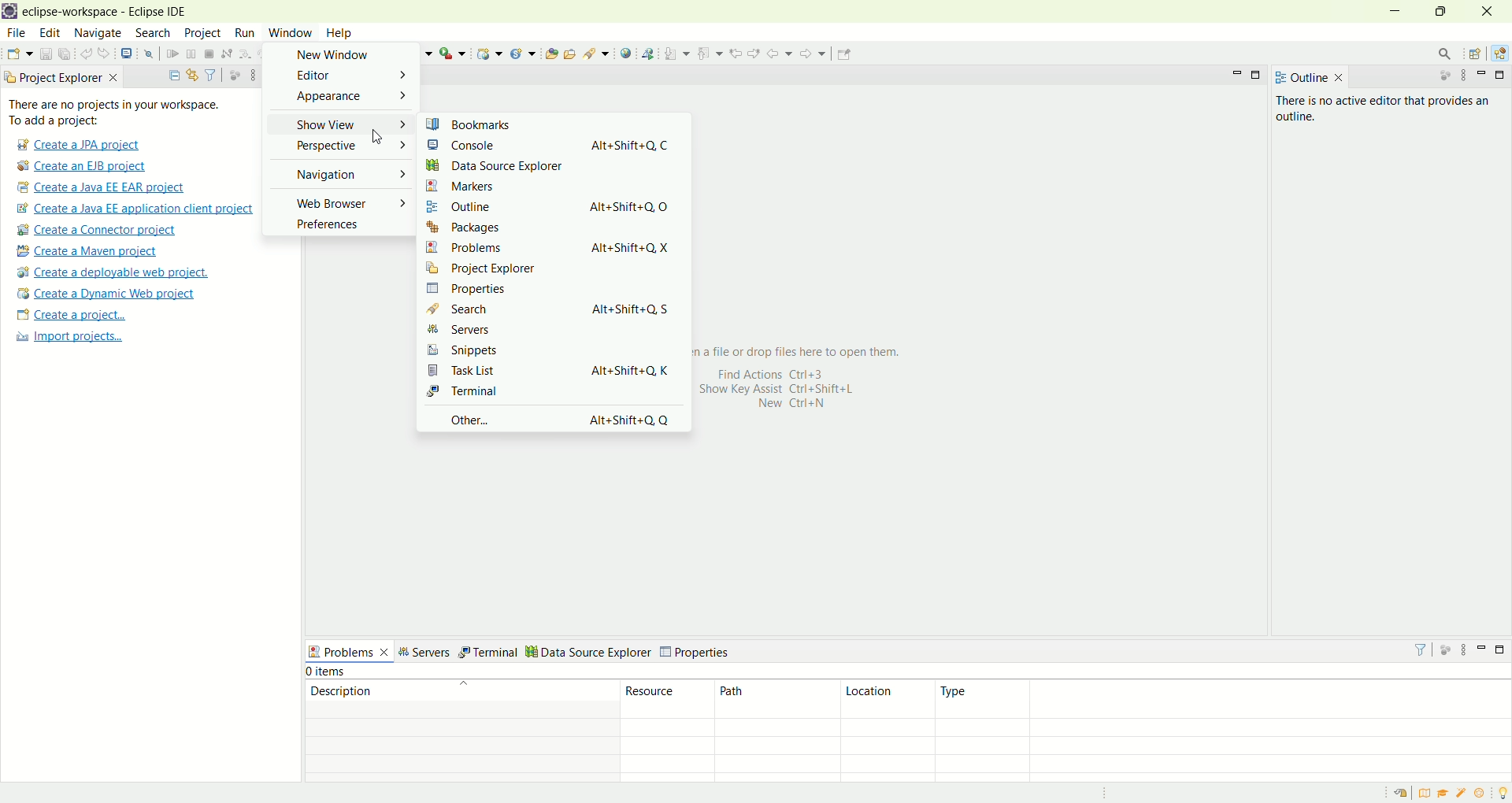 Image resolution: width=1512 pixels, height=803 pixels. What do you see at coordinates (424, 651) in the screenshot?
I see `servers` at bounding box center [424, 651].